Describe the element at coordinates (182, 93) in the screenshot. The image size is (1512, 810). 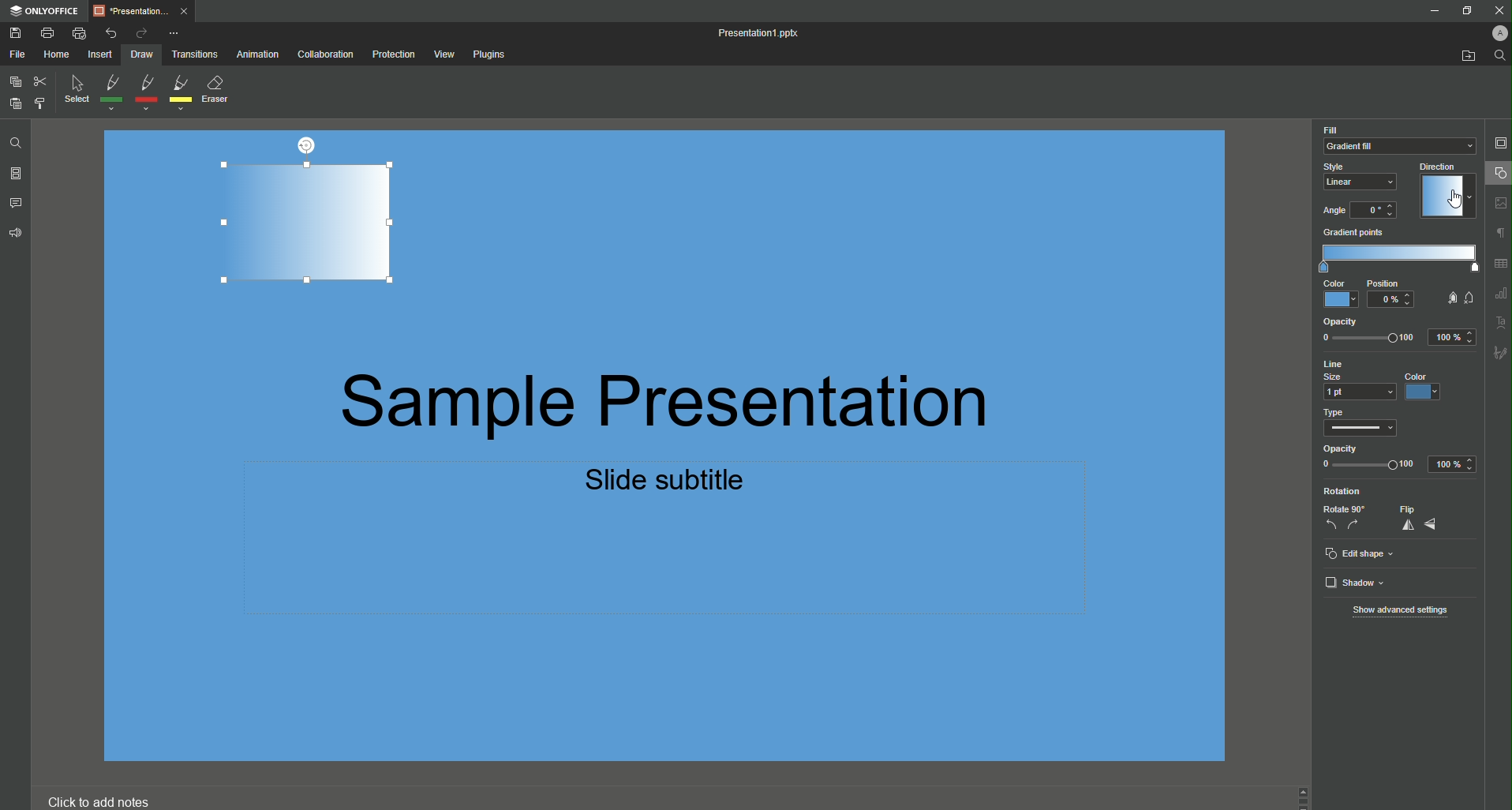
I see `Yellow` at that location.